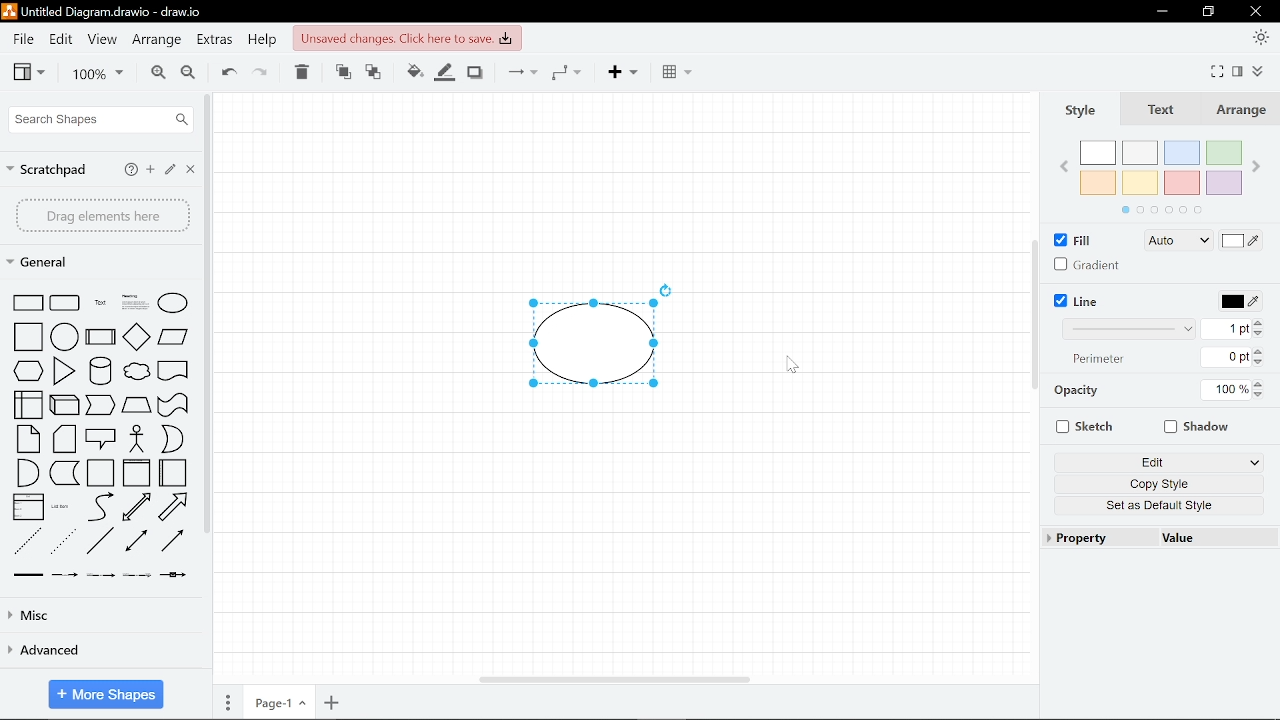 This screenshot has height=720, width=1280. What do you see at coordinates (790, 366) in the screenshot?
I see `cursor` at bounding box center [790, 366].